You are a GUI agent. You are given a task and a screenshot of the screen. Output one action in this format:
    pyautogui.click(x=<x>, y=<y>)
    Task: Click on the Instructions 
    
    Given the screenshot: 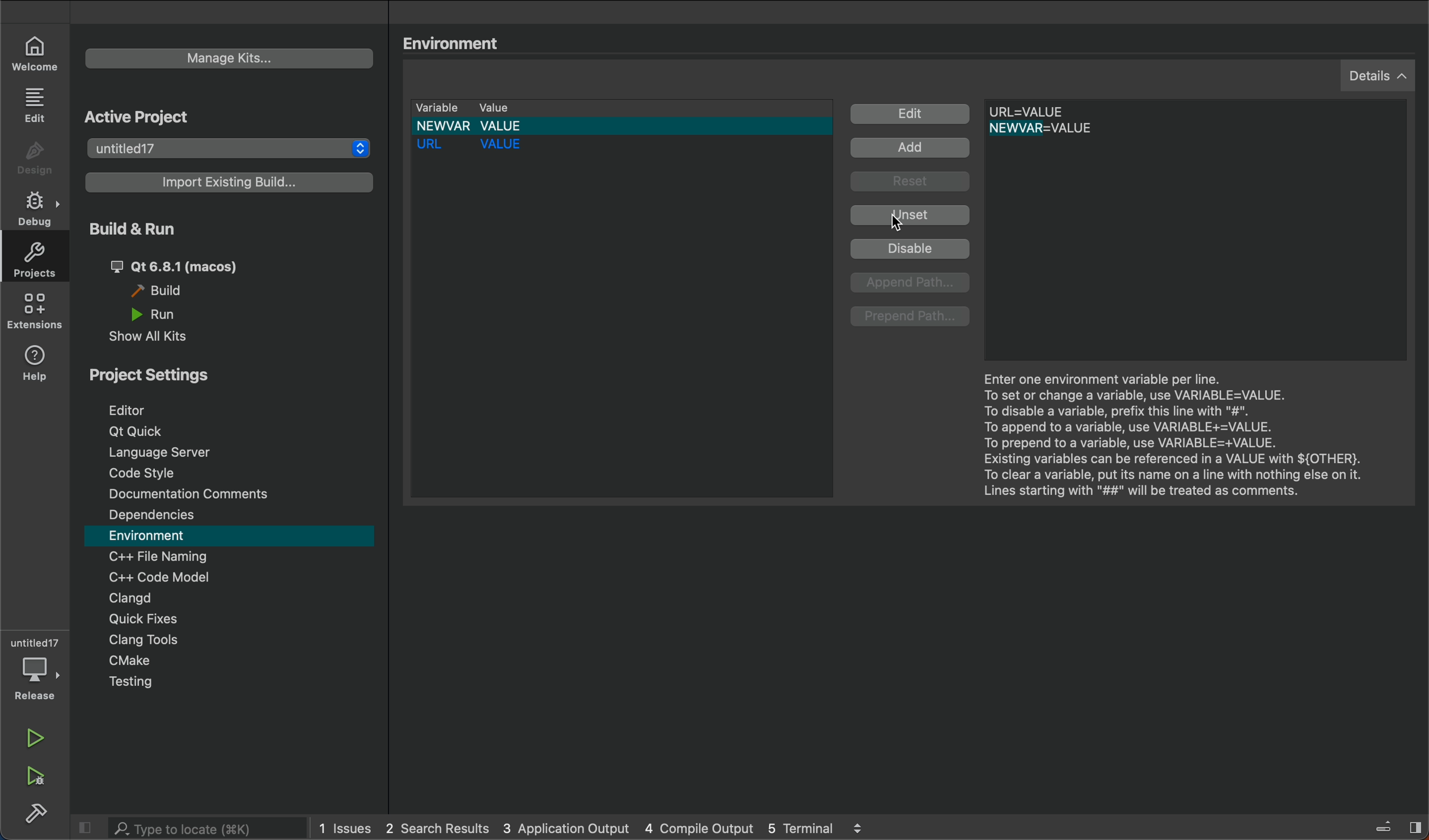 What is the action you would take?
    pyautogui.click(x=1170, y=437)
    